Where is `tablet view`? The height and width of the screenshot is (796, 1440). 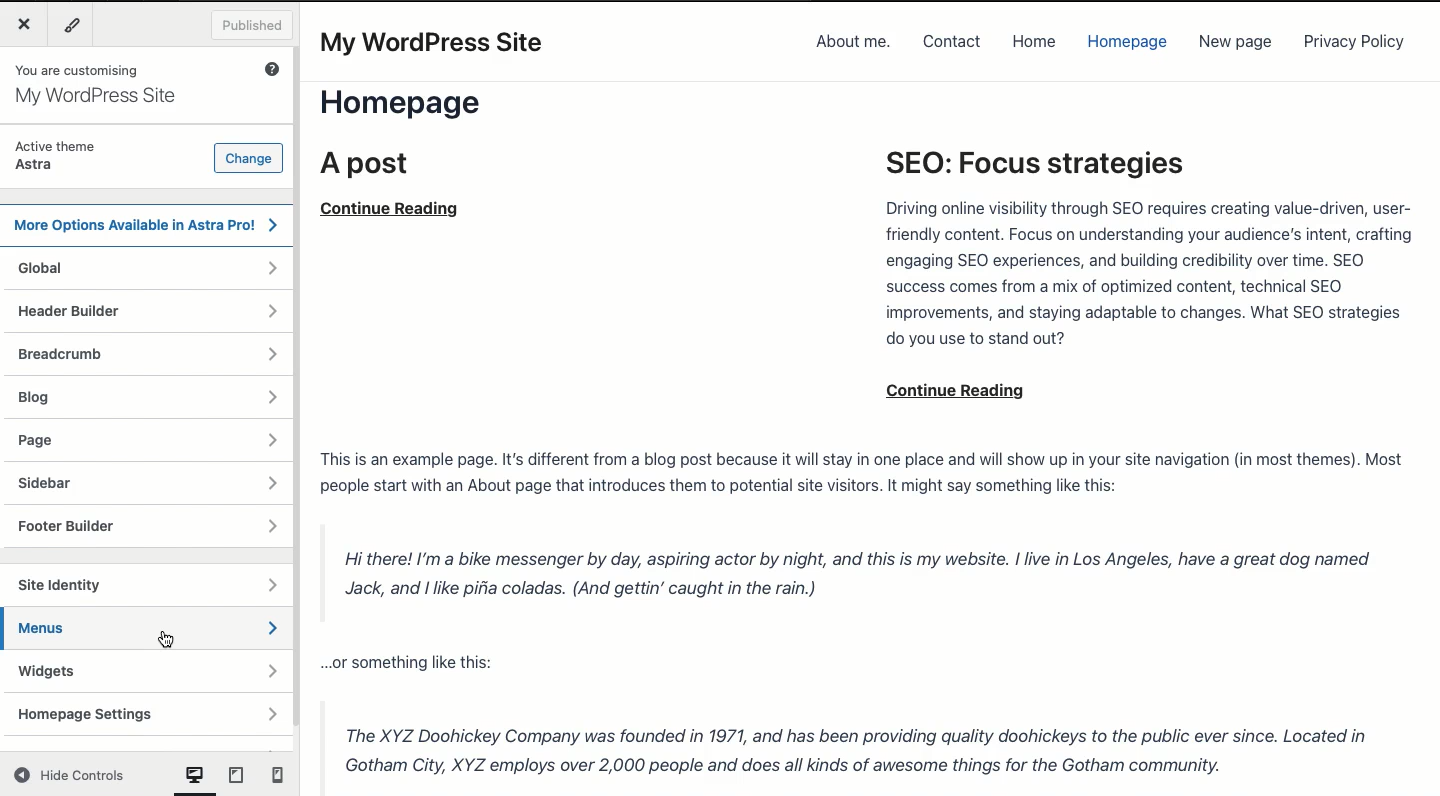 tablet view is located at coordinates (236, 777).